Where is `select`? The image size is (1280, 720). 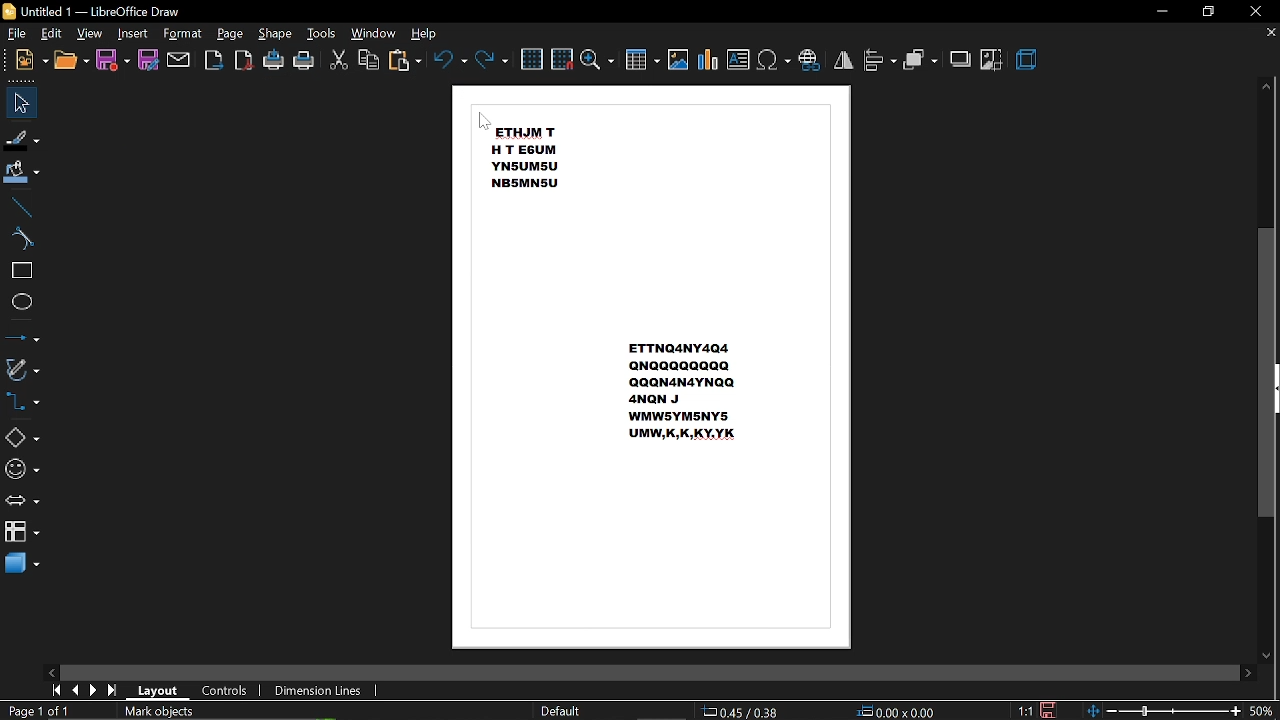
select is located at coordinates (21, 103).